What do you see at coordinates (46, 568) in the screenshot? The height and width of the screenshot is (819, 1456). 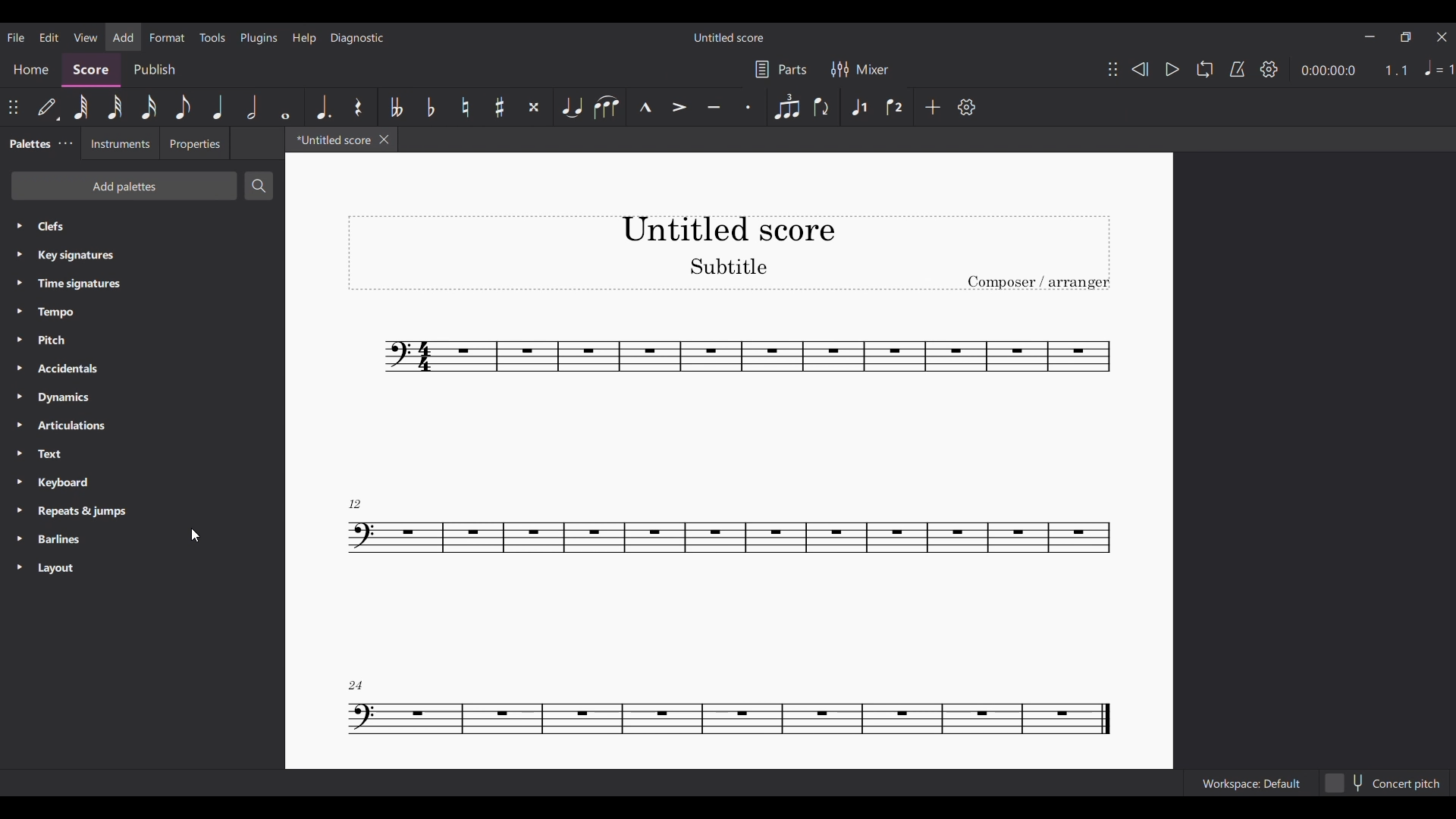 I see `layout` at bounding box center [46, 568].